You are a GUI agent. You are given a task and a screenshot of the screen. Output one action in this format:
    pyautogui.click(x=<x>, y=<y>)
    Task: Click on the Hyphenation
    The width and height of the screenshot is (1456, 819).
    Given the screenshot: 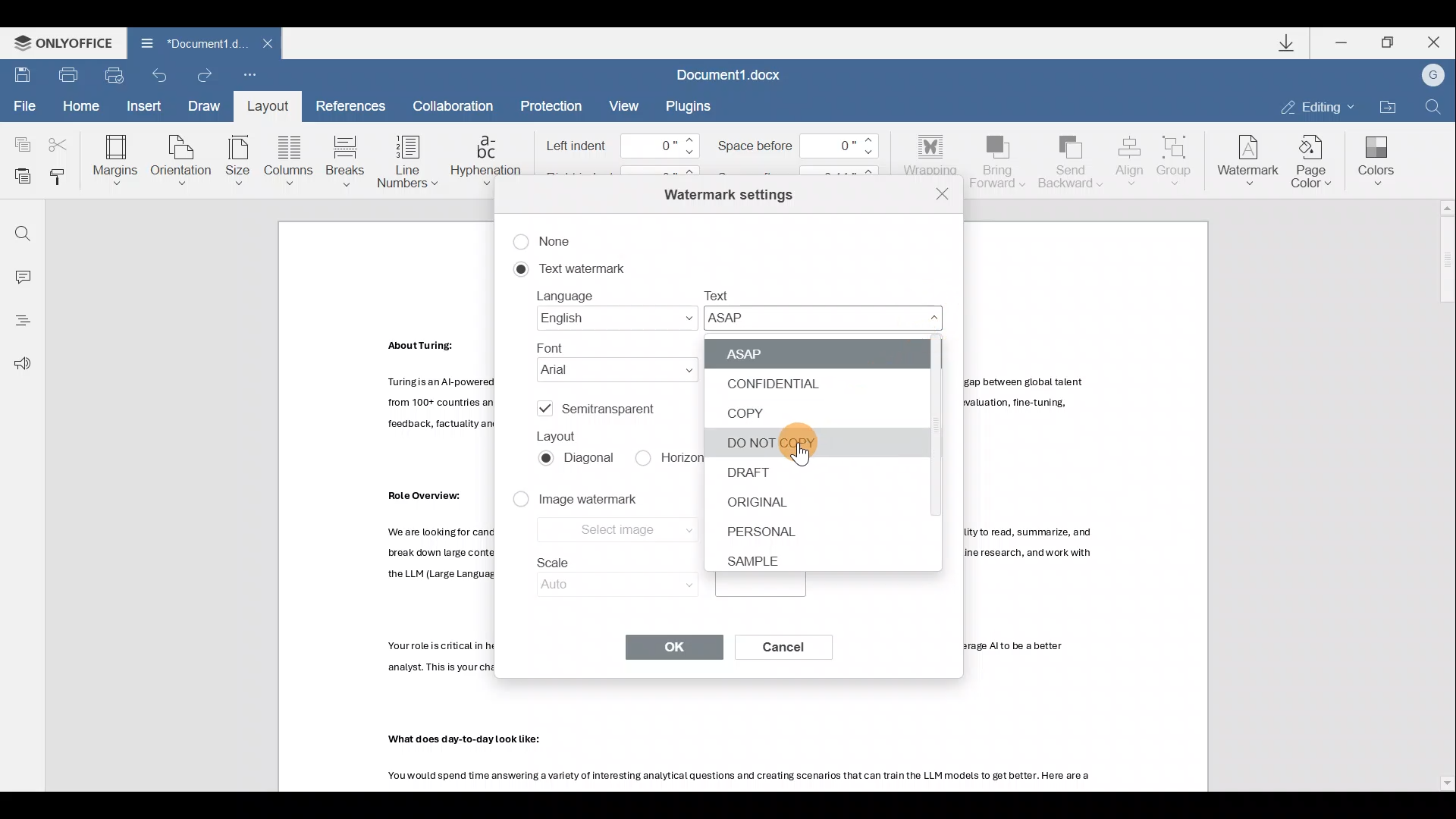 What is the action you would take?
    pyautogui.click(x=488, y=162)
    